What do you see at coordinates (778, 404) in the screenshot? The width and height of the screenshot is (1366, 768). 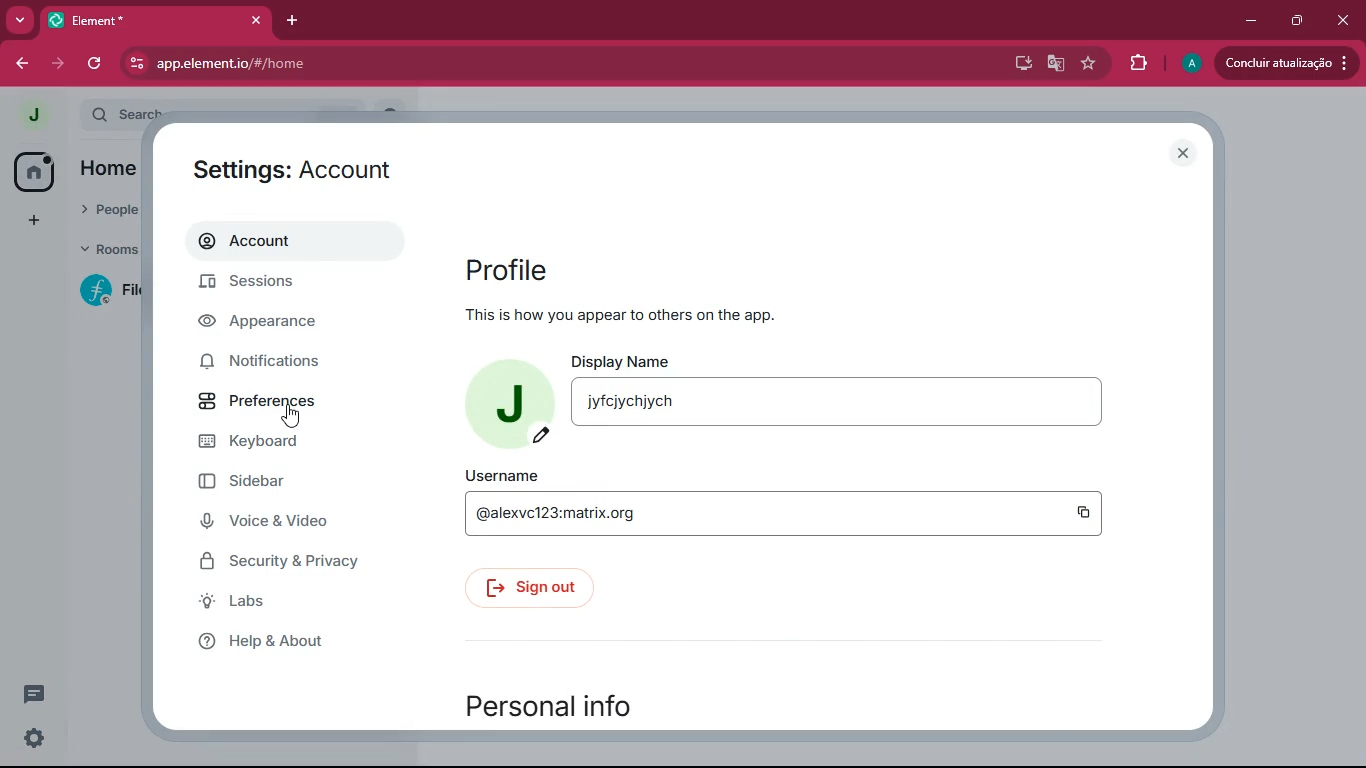 I see `edit name` at bounding box center [778, 404].